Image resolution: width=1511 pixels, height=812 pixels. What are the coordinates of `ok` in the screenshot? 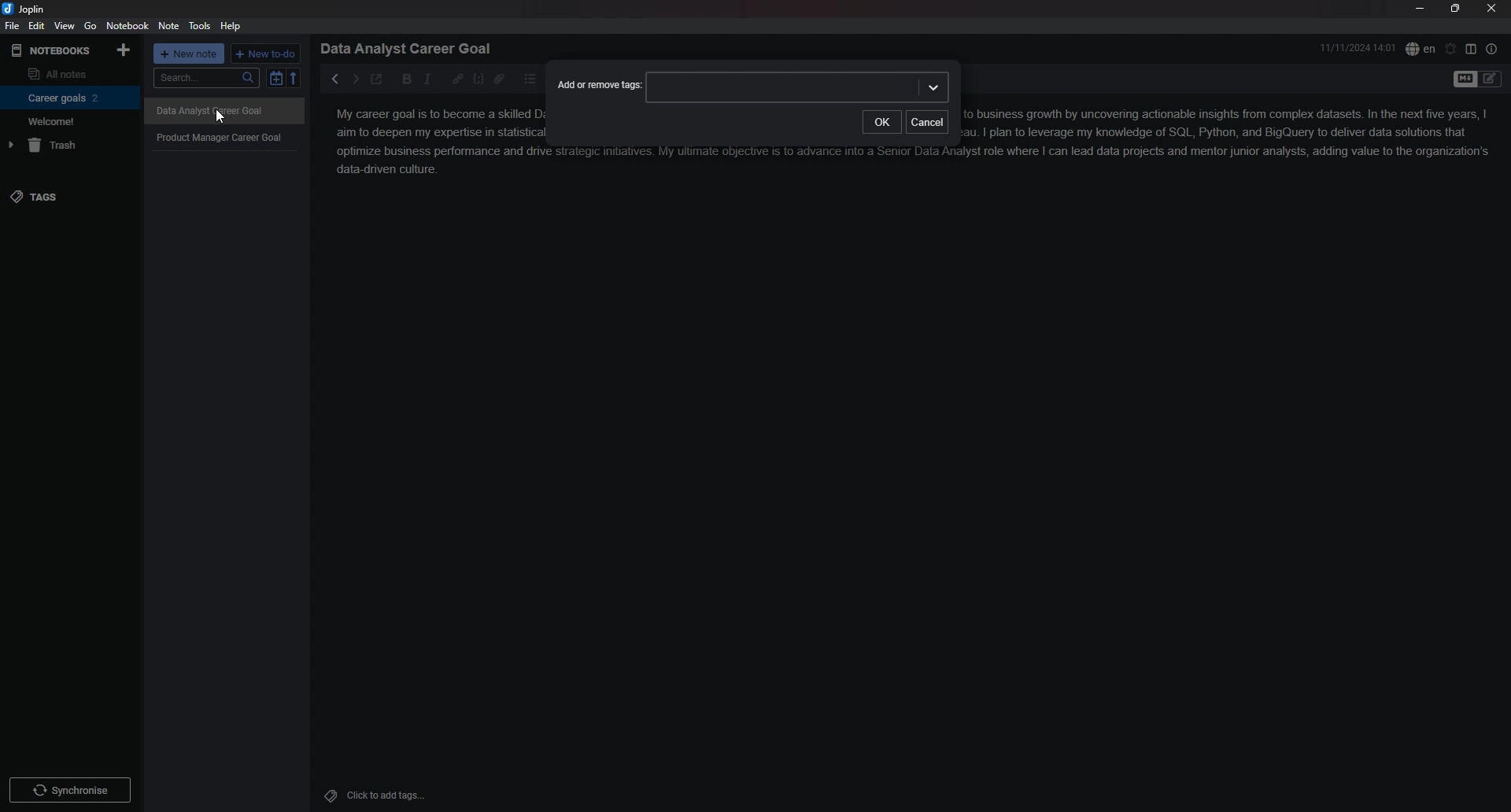 It's located at (883, 122).